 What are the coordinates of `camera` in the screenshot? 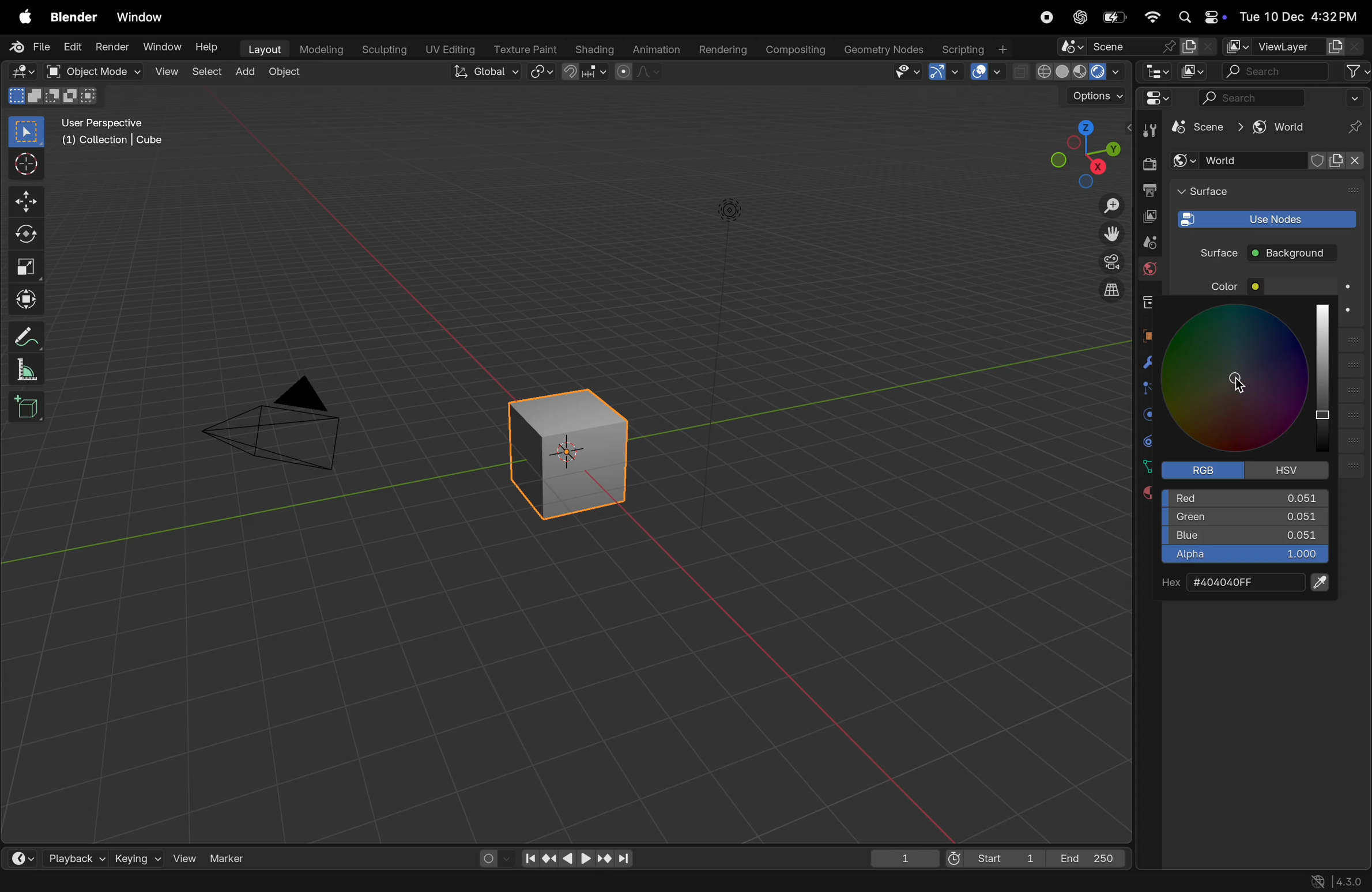 It's located at (285, 424).